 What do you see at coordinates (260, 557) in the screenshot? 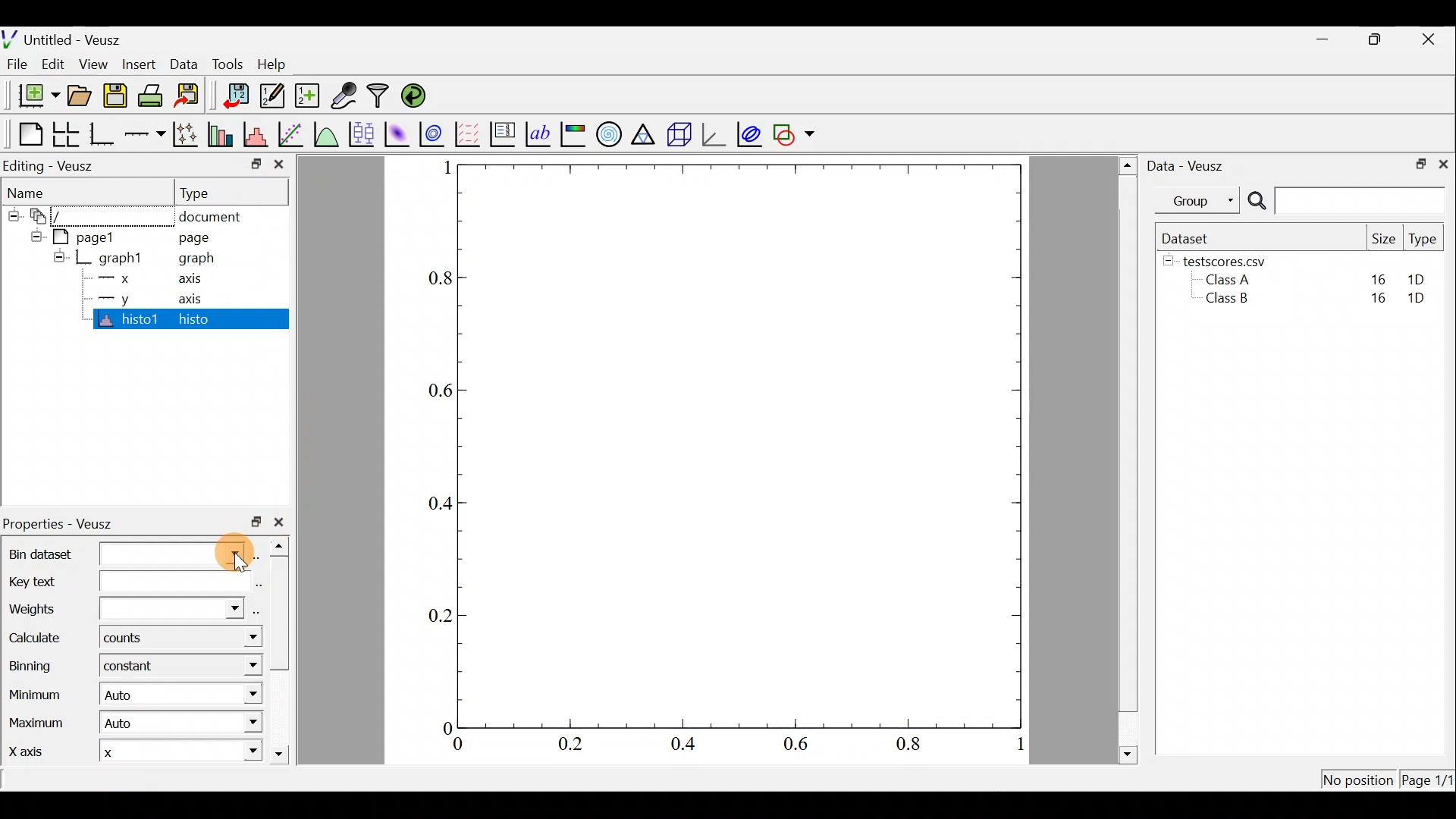
I see `select using dataset browser` at bounding box center [260, 557].